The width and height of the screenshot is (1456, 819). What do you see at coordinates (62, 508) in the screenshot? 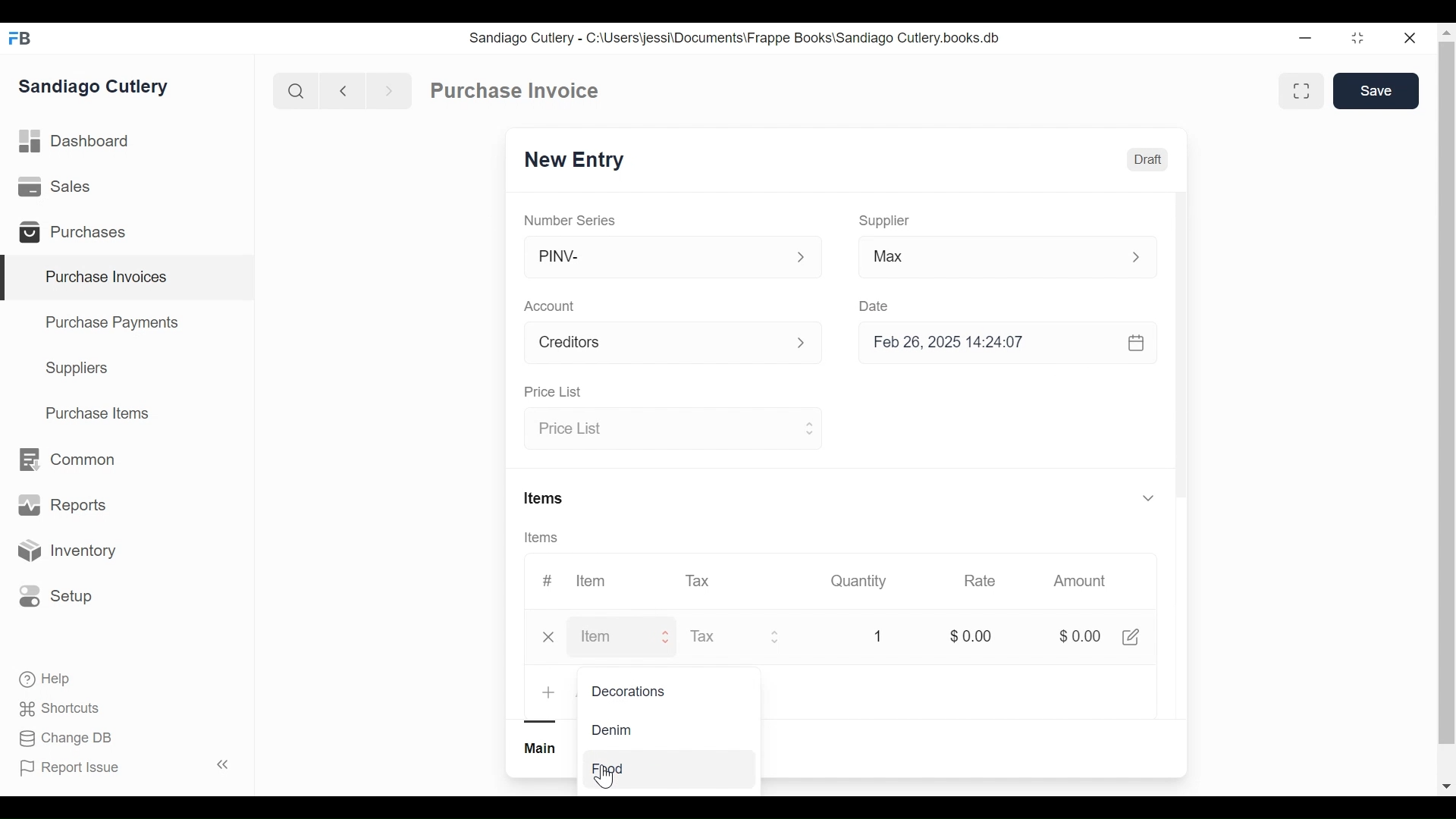
I see `Reports` at bounding box center [62, 508].